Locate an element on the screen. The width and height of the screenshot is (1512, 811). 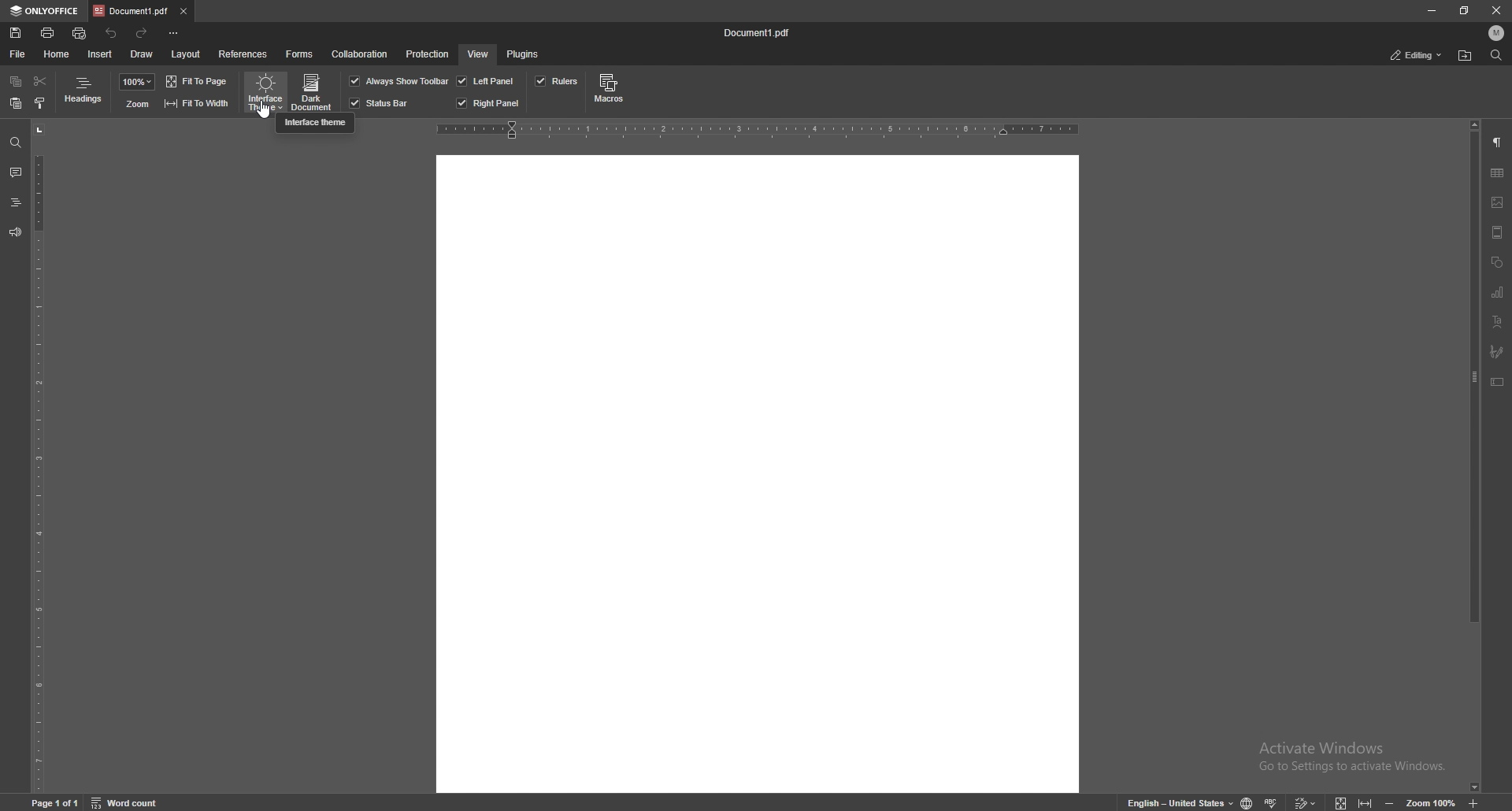
left panel is located at coordinates (486, 81).